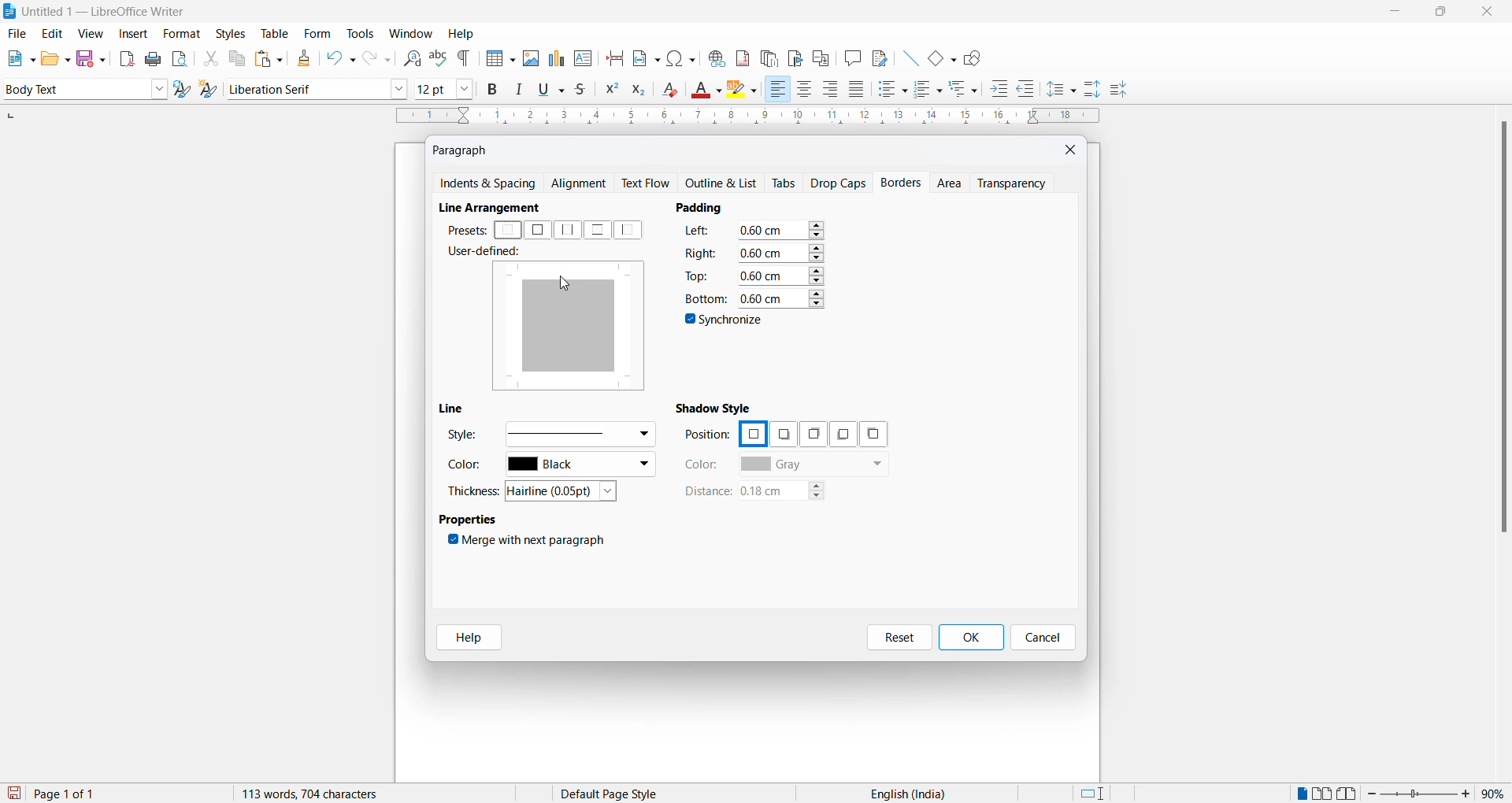  I want to click on line, so click(456, 409).